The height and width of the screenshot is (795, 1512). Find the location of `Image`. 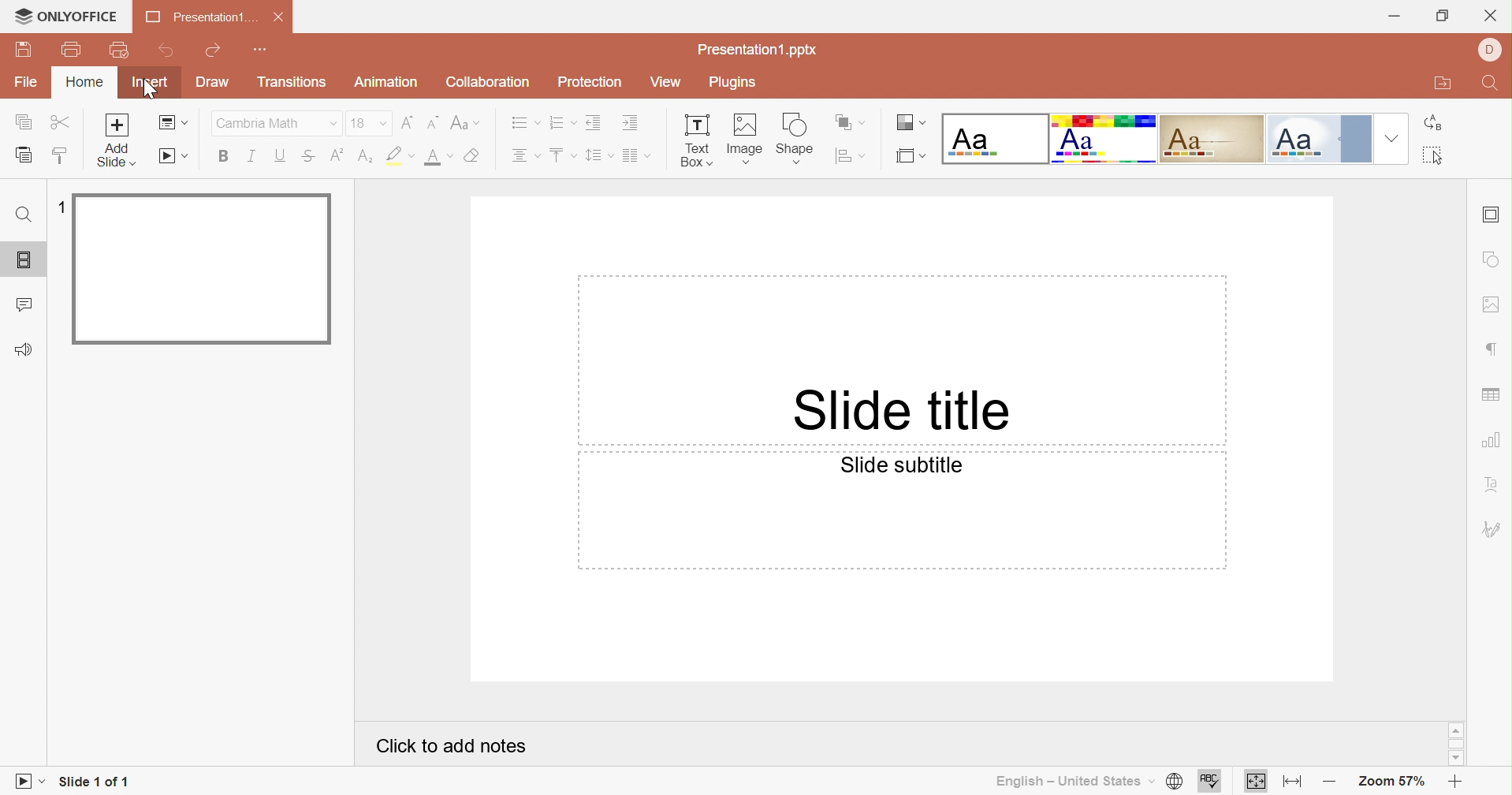

Image is located at coordinates (744, 141).